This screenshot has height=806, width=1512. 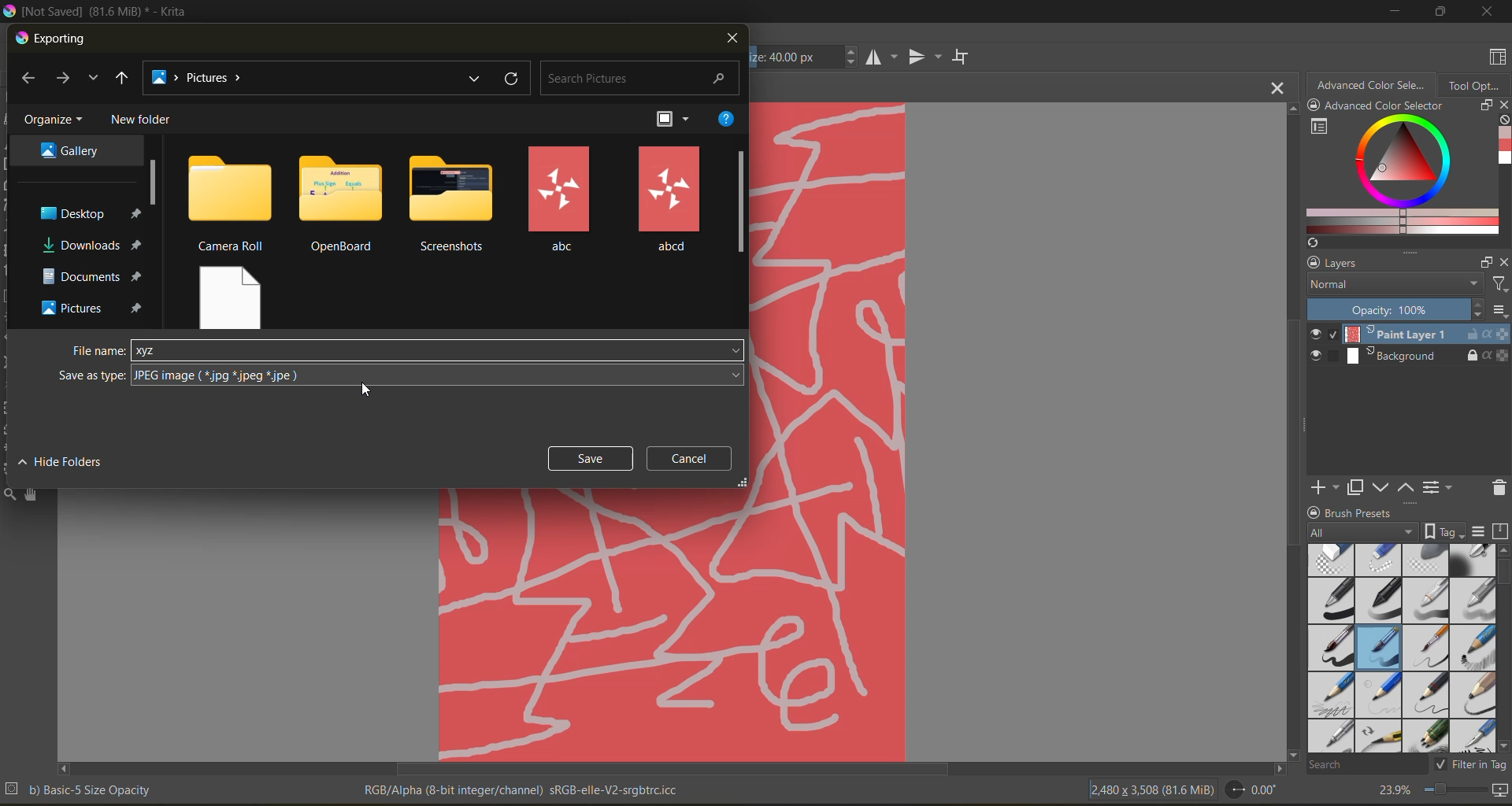 I want to click on show tag, so click(x=1442, y=531).